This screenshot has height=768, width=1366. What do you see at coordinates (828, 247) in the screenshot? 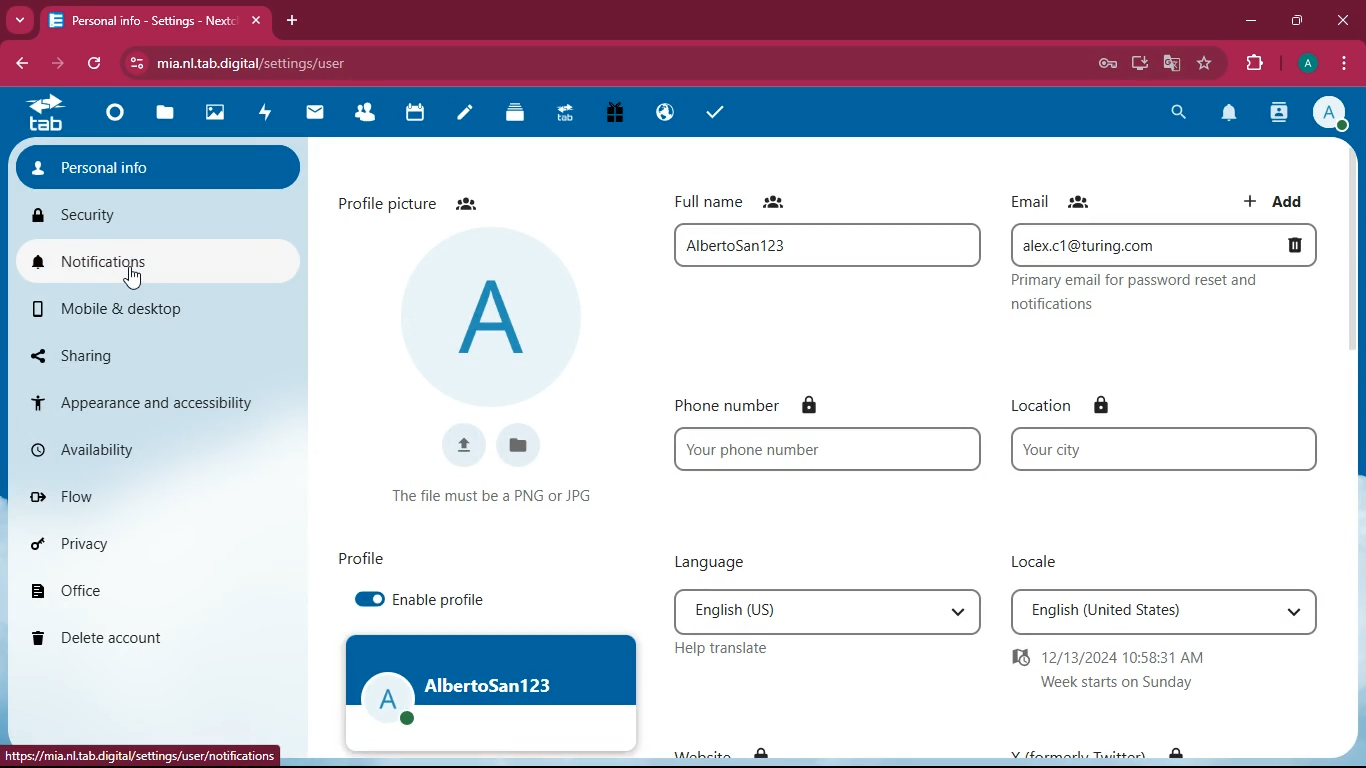
I see `AlbertoSan123` at bounding box center [828, 247].